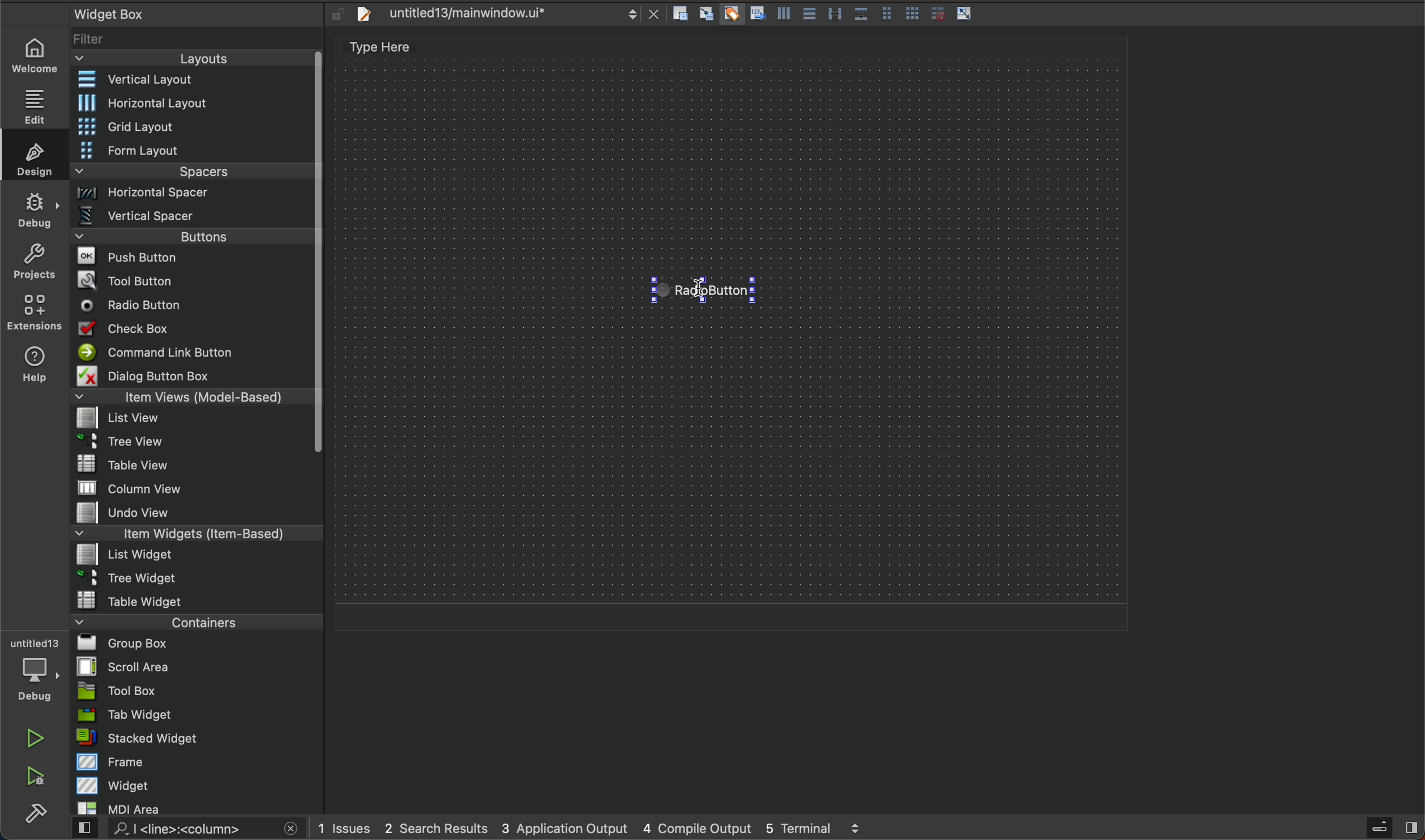  Describe the element at coordinates (194, 378) in the screenshot. I see `dialong button` at that location.